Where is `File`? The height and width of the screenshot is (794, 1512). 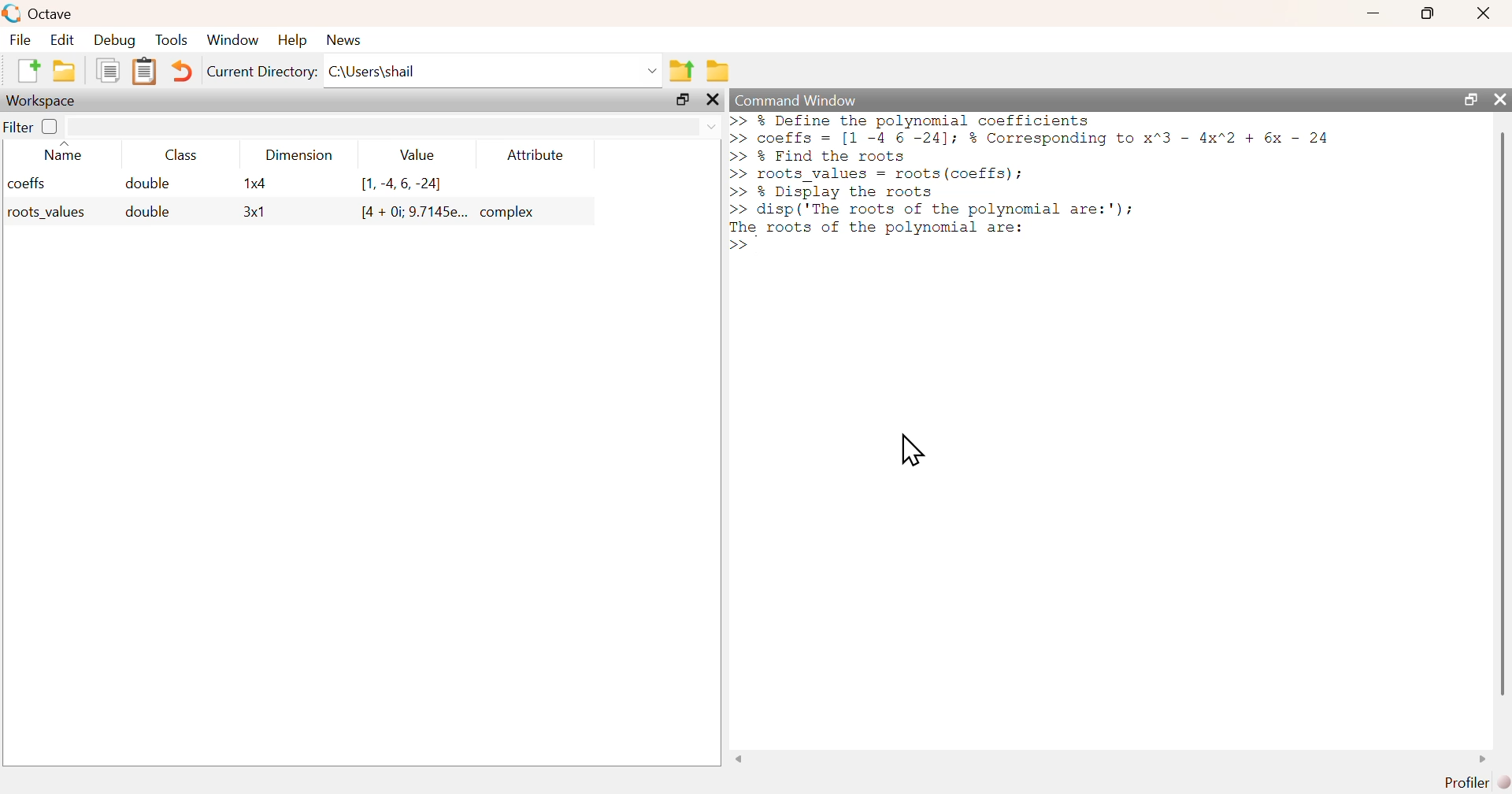
File is located at coordinates (19, 39).